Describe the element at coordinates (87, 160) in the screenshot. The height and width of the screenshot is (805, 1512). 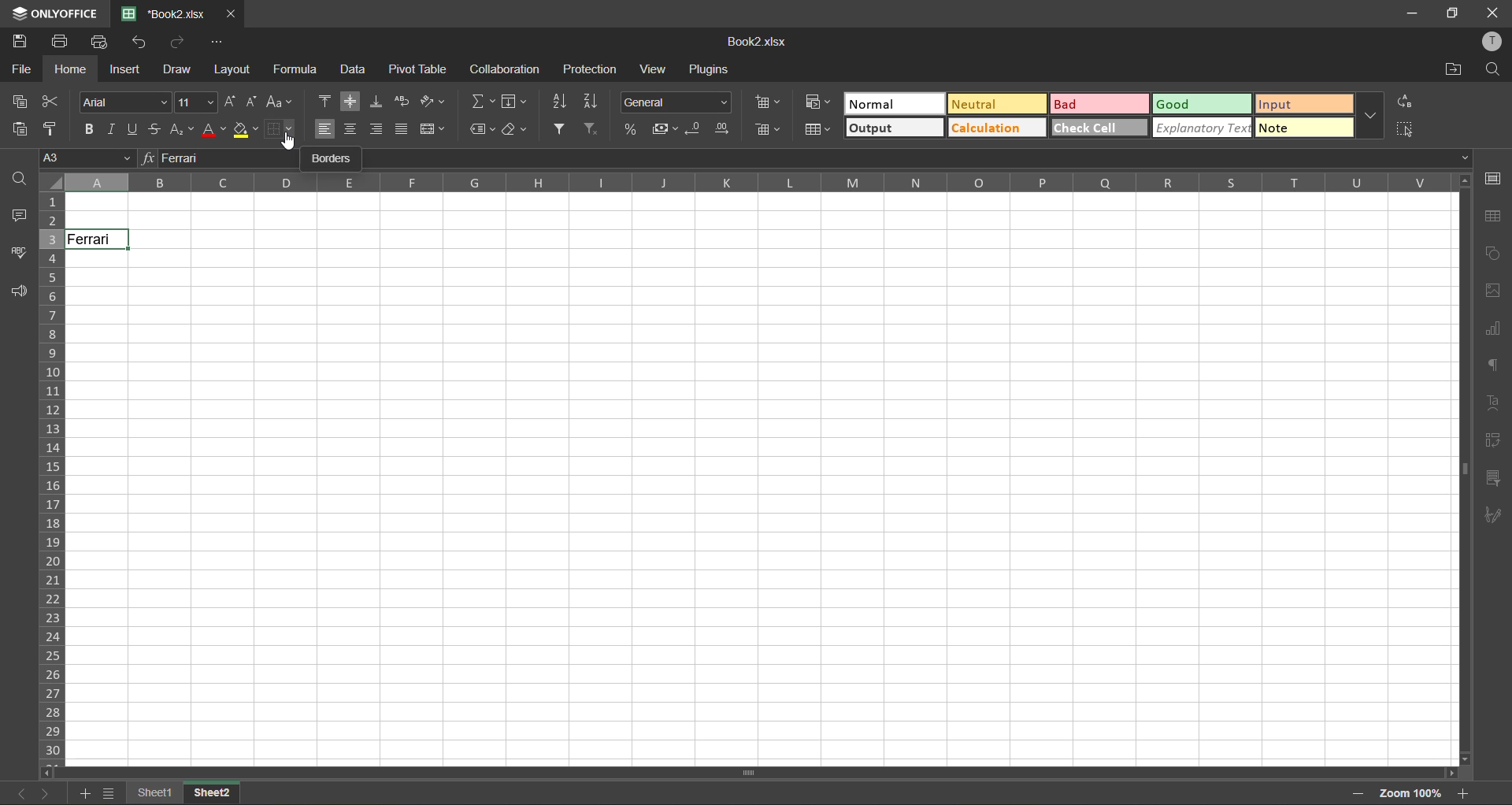
I see `cell address` at that location.